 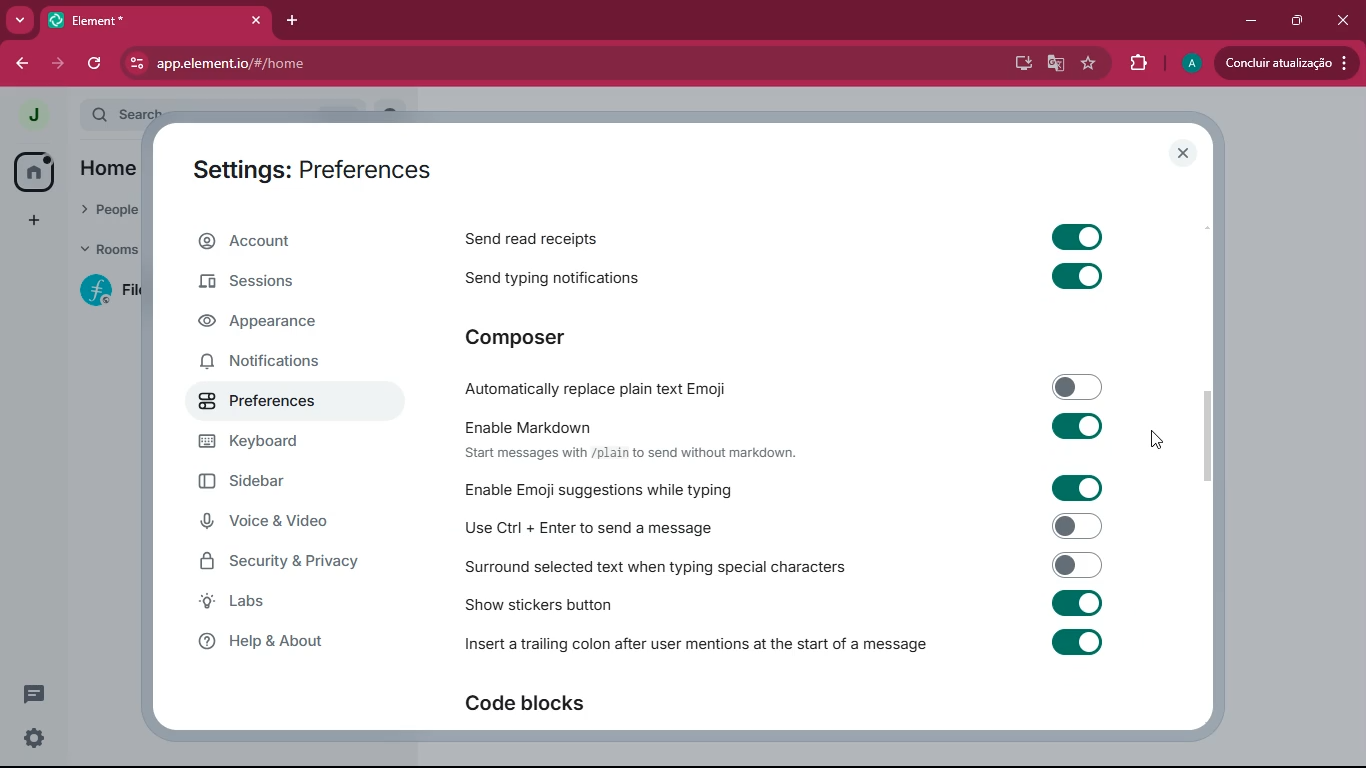 I want to click on settings, so click(x=30, y=739).